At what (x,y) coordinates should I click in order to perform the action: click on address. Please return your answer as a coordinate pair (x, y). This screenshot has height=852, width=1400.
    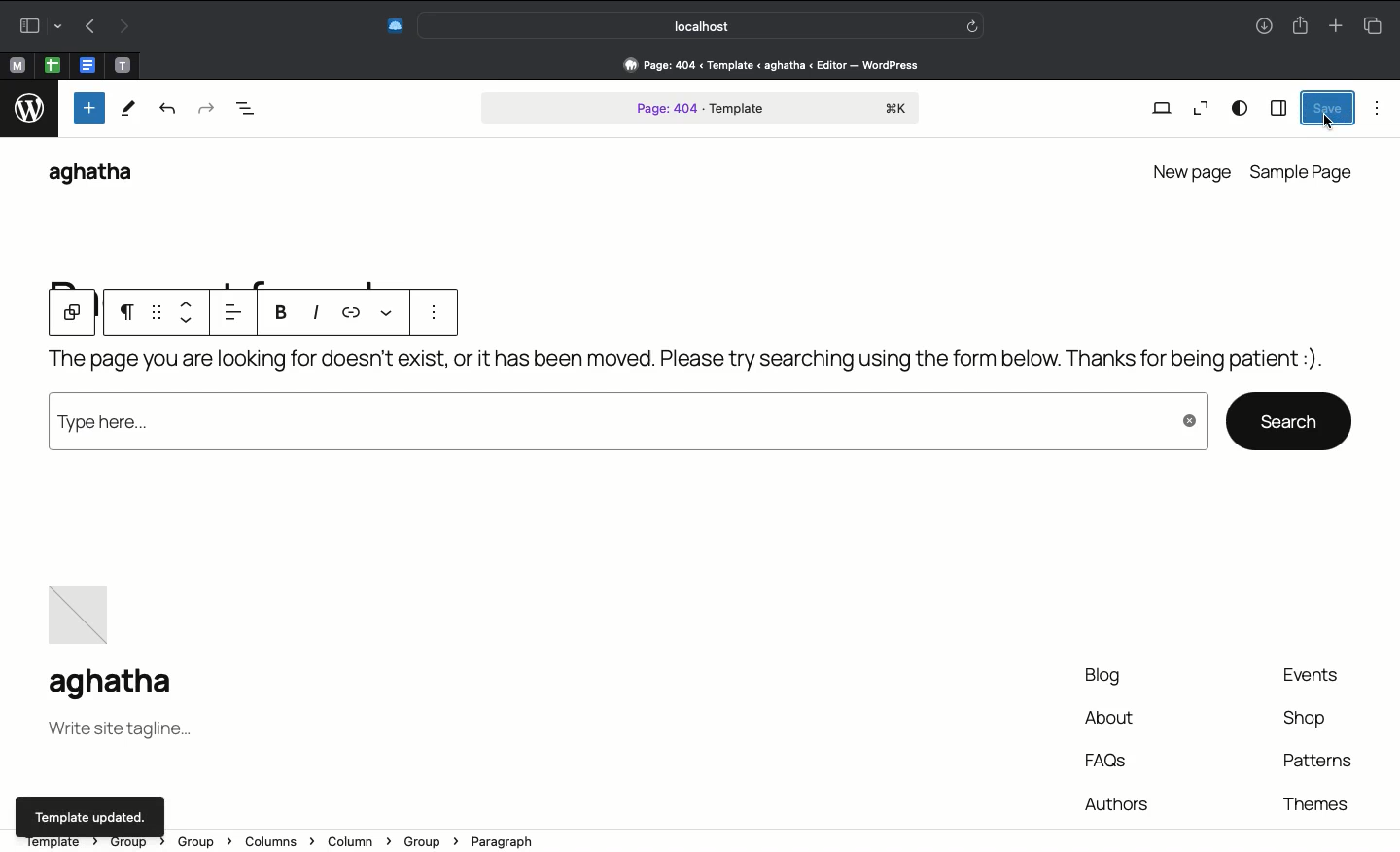
    Looking at the image, I should click on (667, 841).